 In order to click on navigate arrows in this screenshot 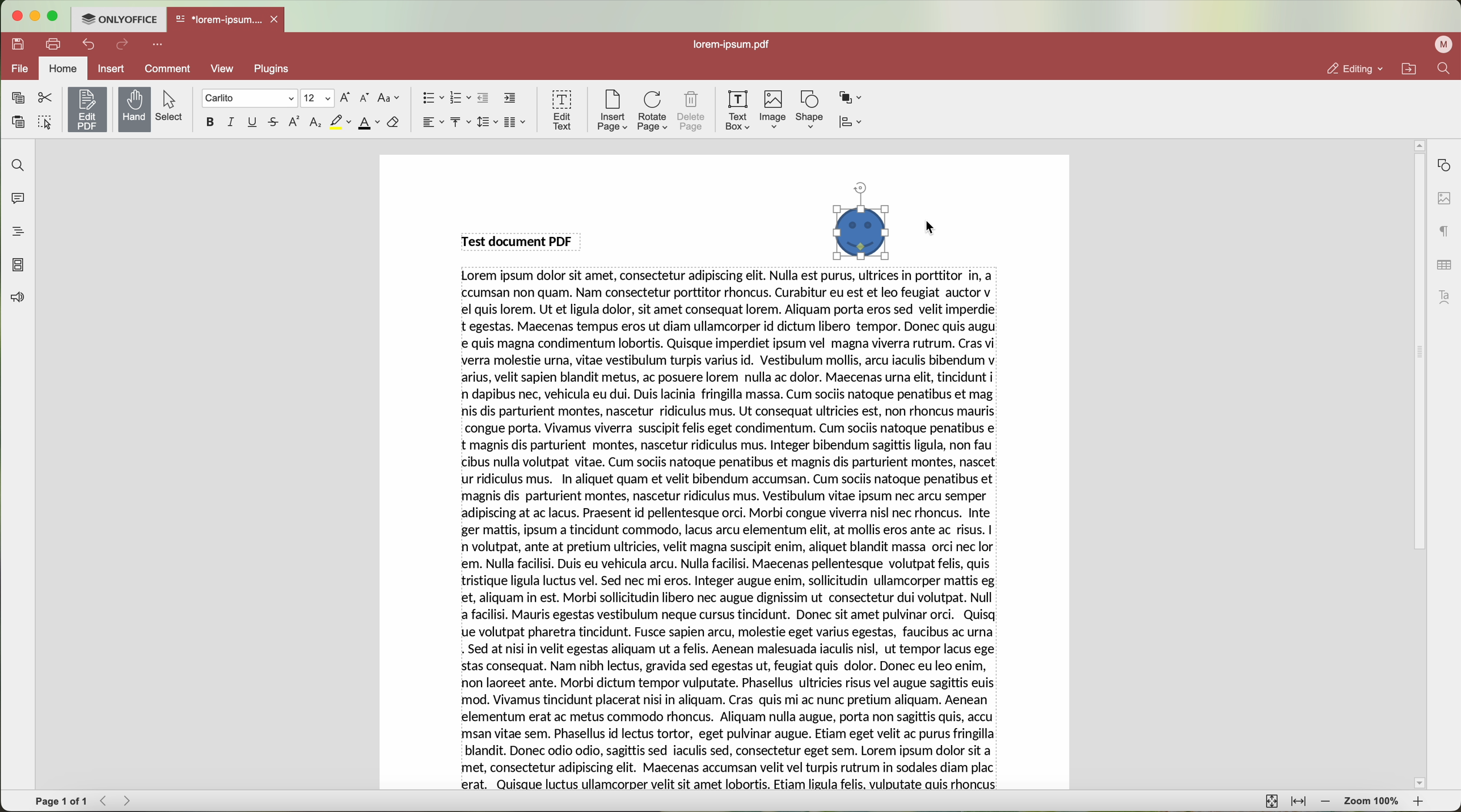, I will do `click(118, 801)`.